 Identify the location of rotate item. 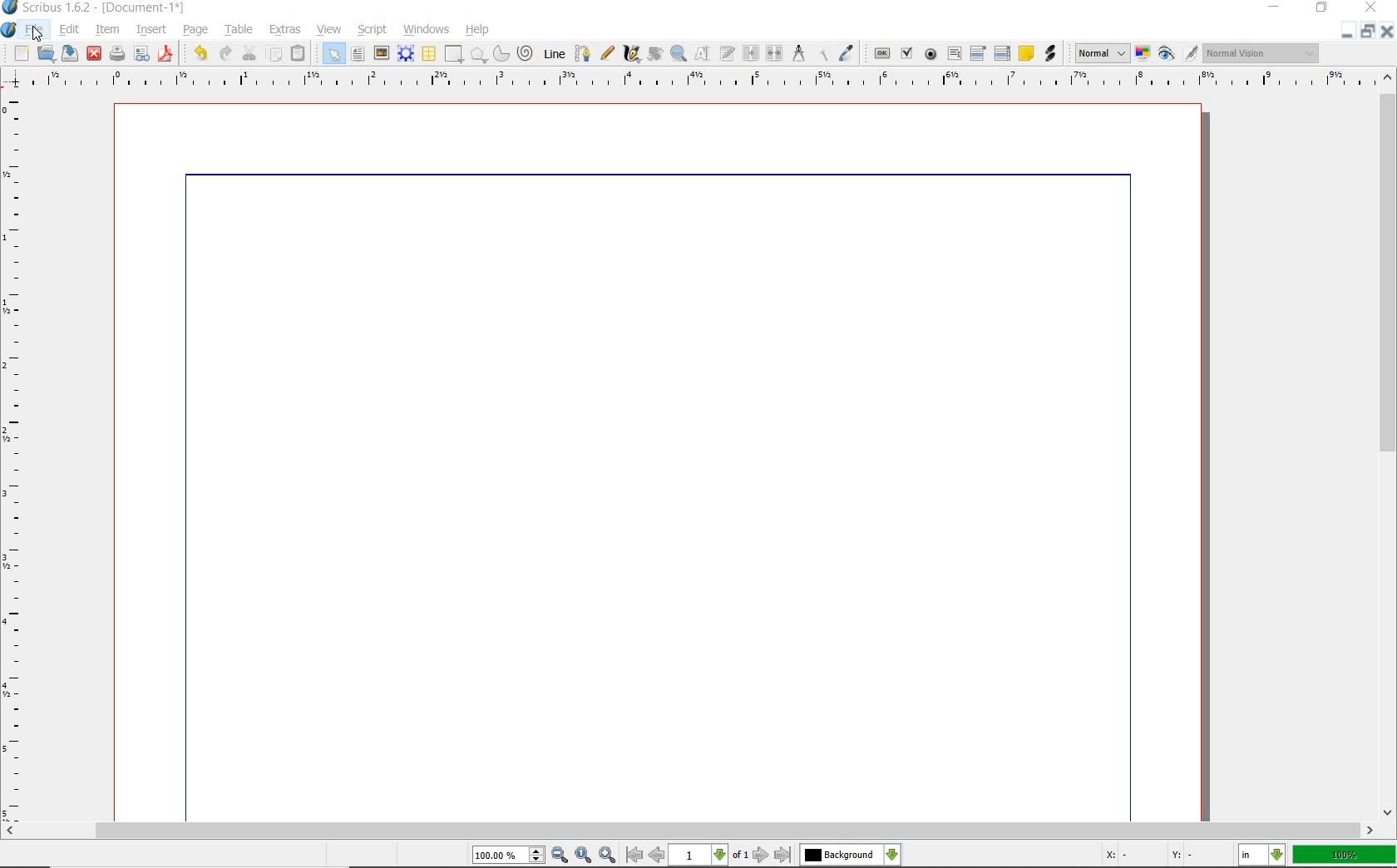
(655, 55).